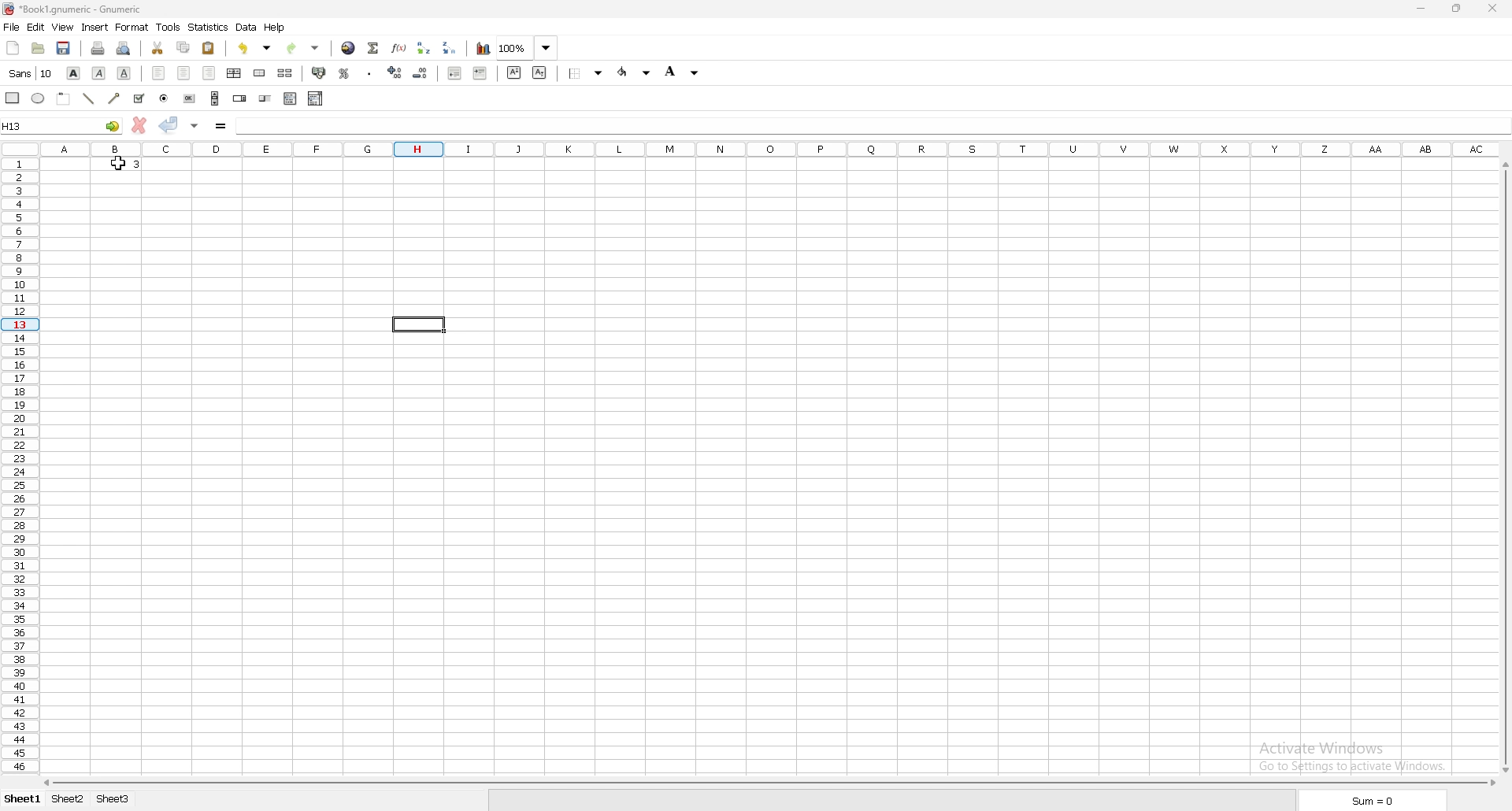  Describe the element at coordinates (87, 99) in the screenshot. I see `line` at that location.